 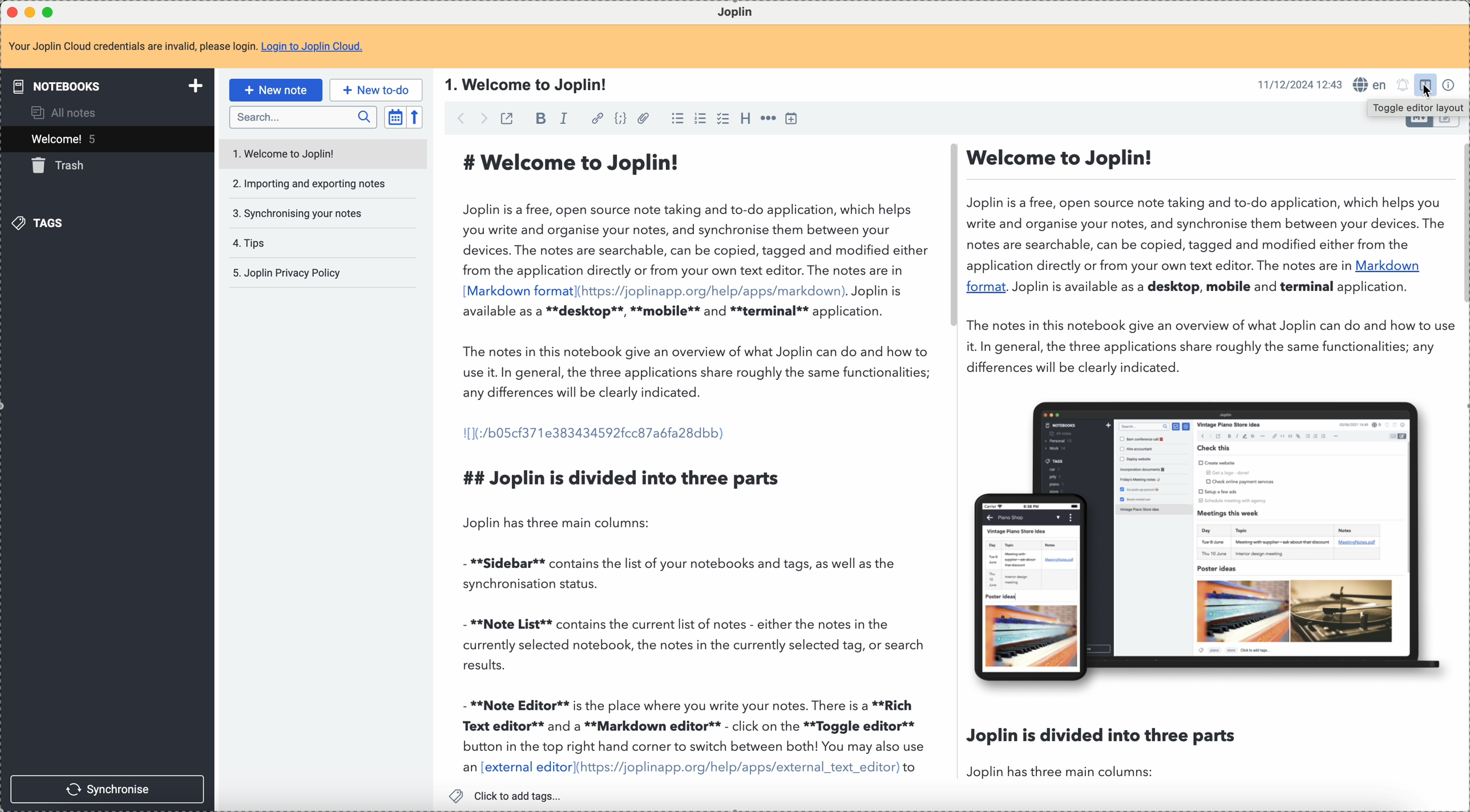 I want to click on Your Joplin Cloud credentials are invalid, please login., so click(x=131, y=48).